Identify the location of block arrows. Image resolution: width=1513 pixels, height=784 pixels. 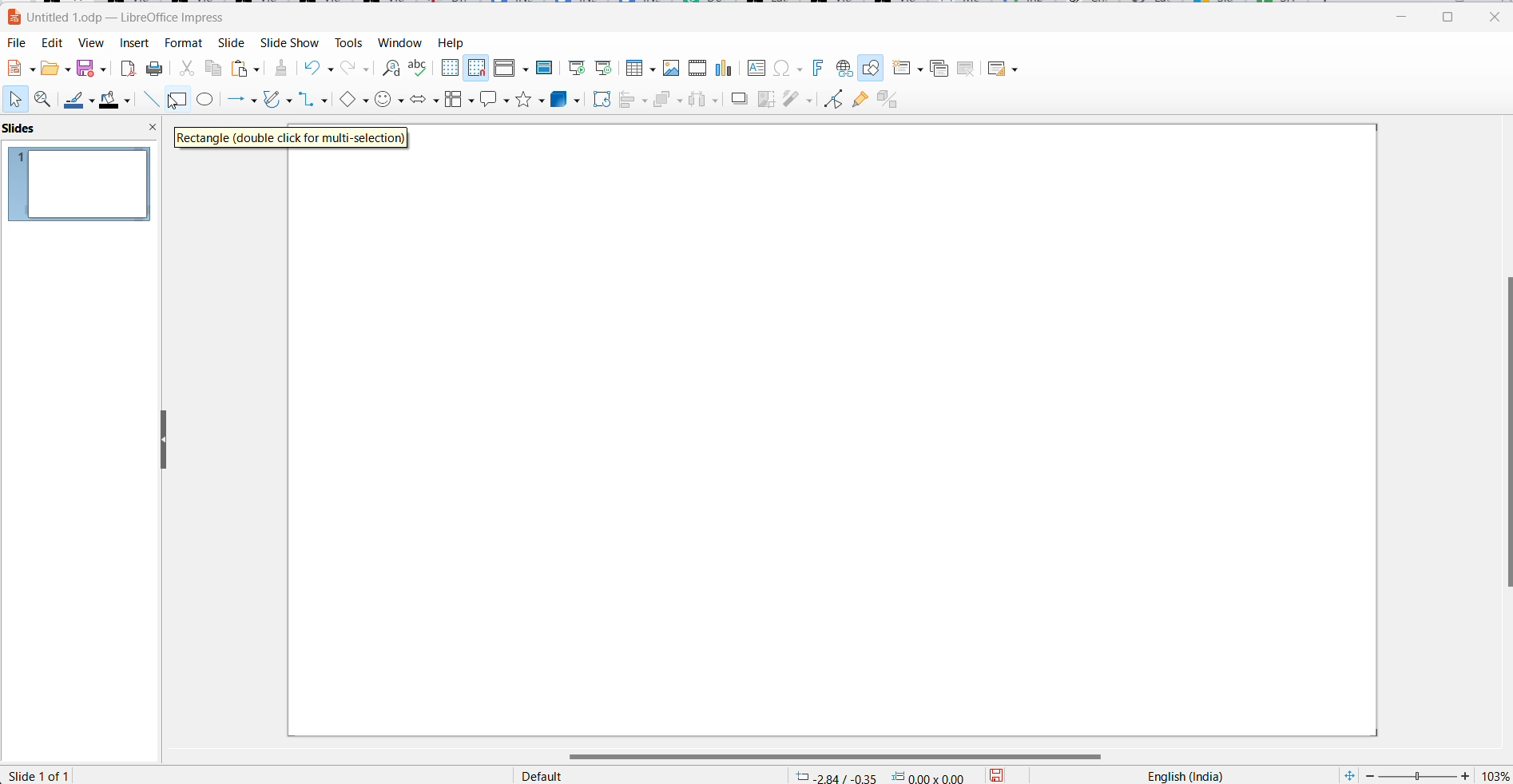
(424, 100).